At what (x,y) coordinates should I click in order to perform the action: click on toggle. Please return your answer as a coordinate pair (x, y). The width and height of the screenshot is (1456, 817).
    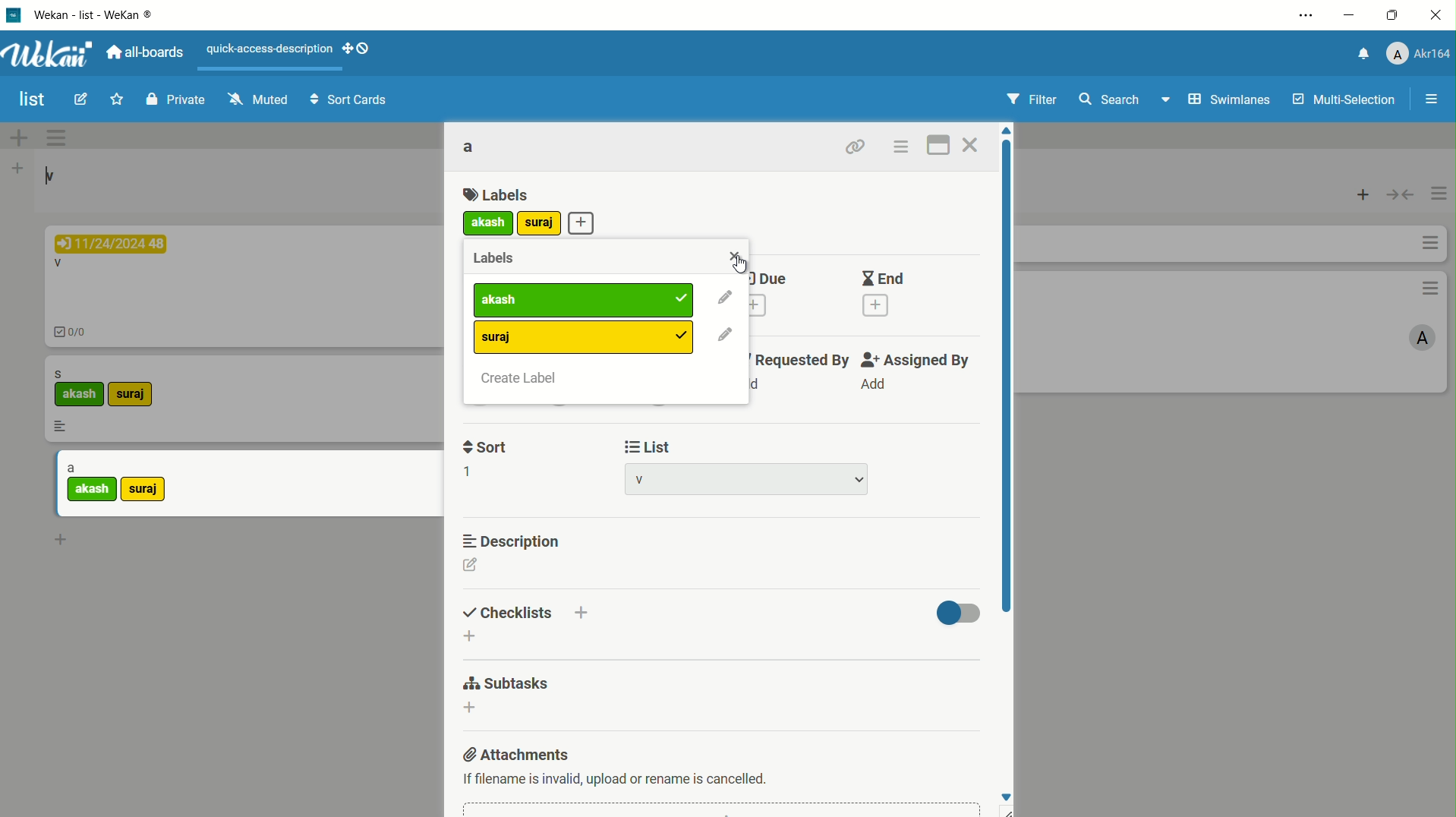
    Looking at the image, I should click on (1401, 197).